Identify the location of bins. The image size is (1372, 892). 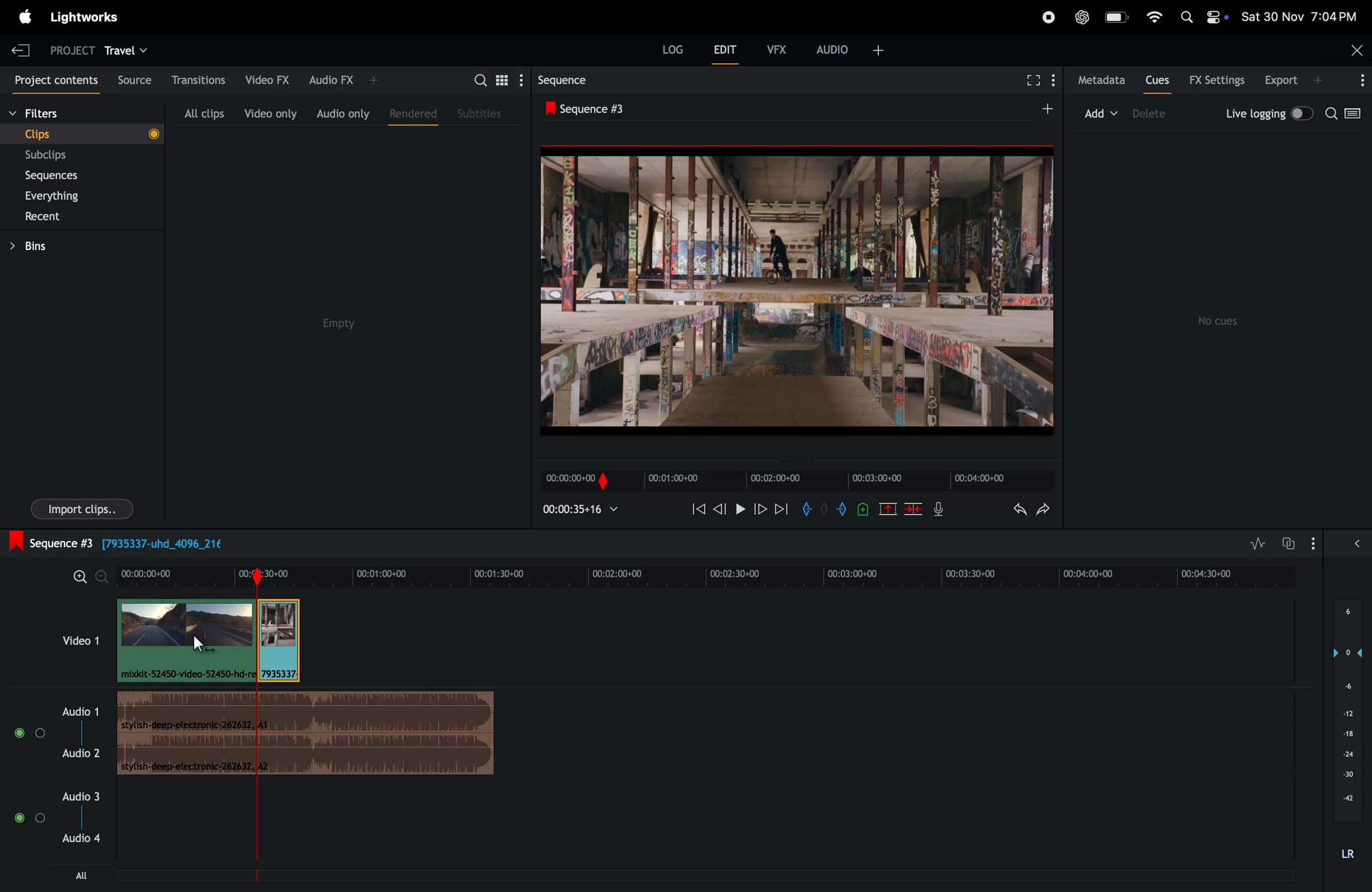
(47, 245).